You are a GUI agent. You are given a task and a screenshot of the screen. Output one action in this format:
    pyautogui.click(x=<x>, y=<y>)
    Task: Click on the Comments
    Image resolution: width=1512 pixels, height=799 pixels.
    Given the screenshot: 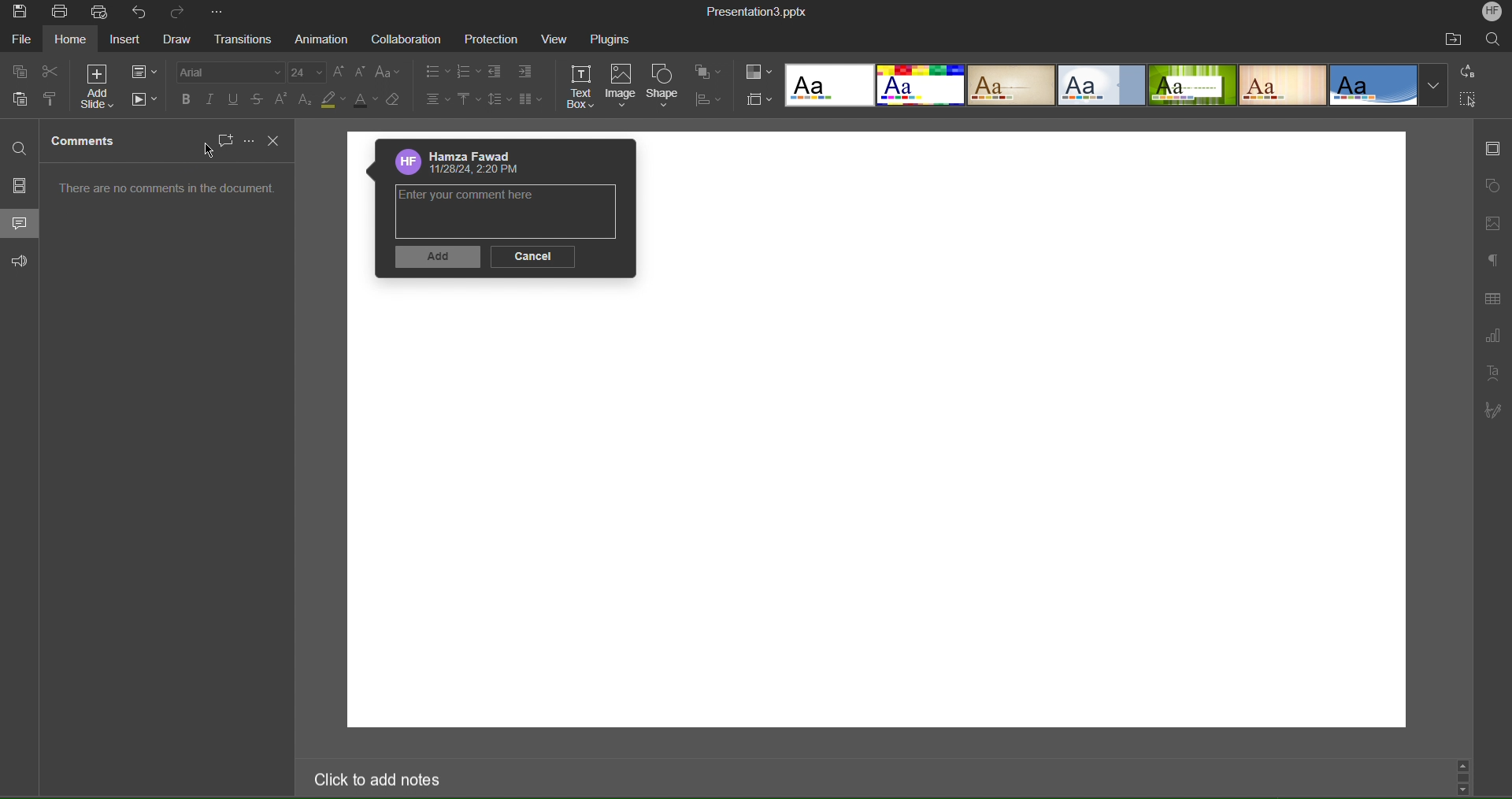 What is the action you would take?
    pyautogui.click(x=20, y=222)
    